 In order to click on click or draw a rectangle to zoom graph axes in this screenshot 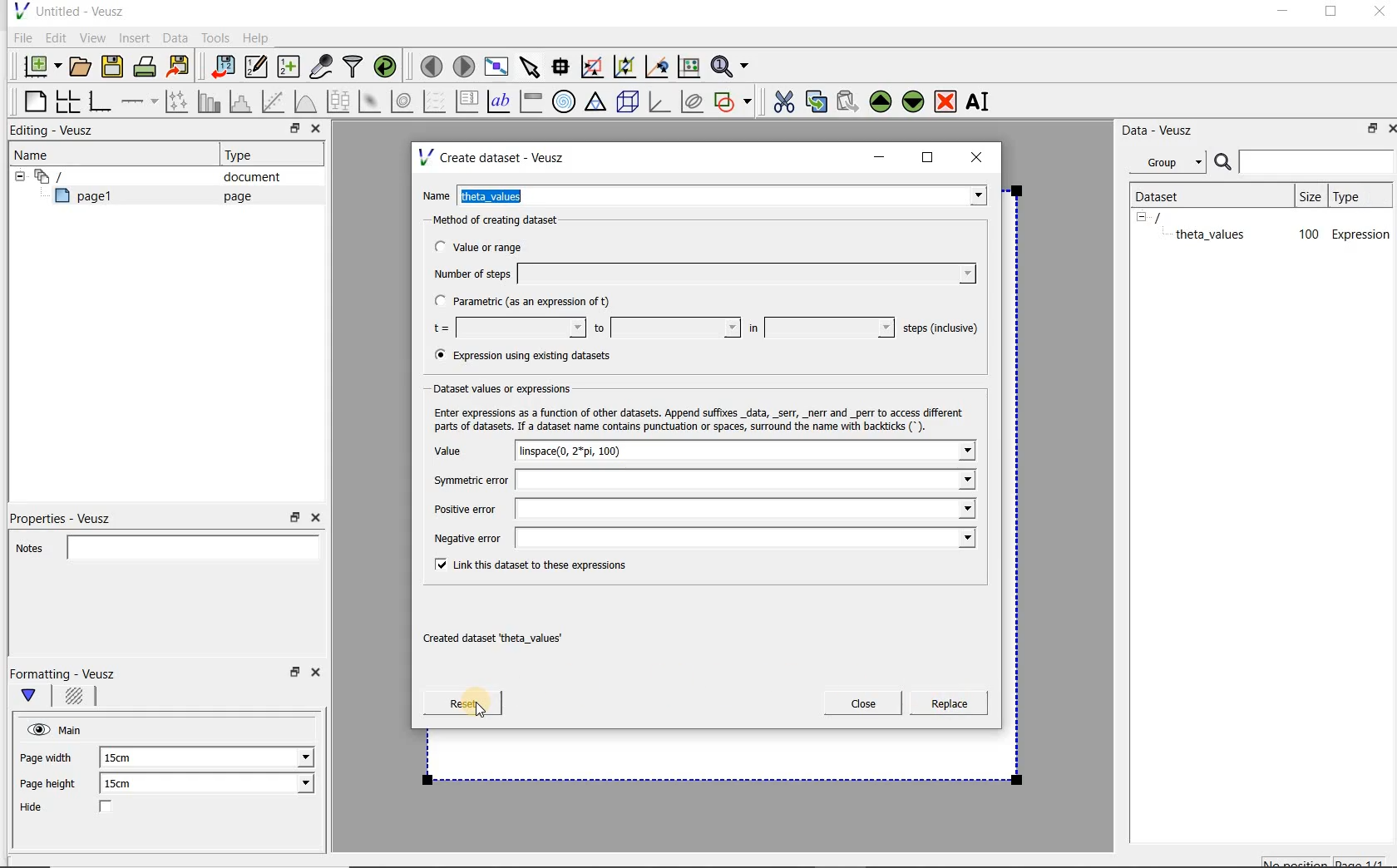, I will do `click(595, 67)`.